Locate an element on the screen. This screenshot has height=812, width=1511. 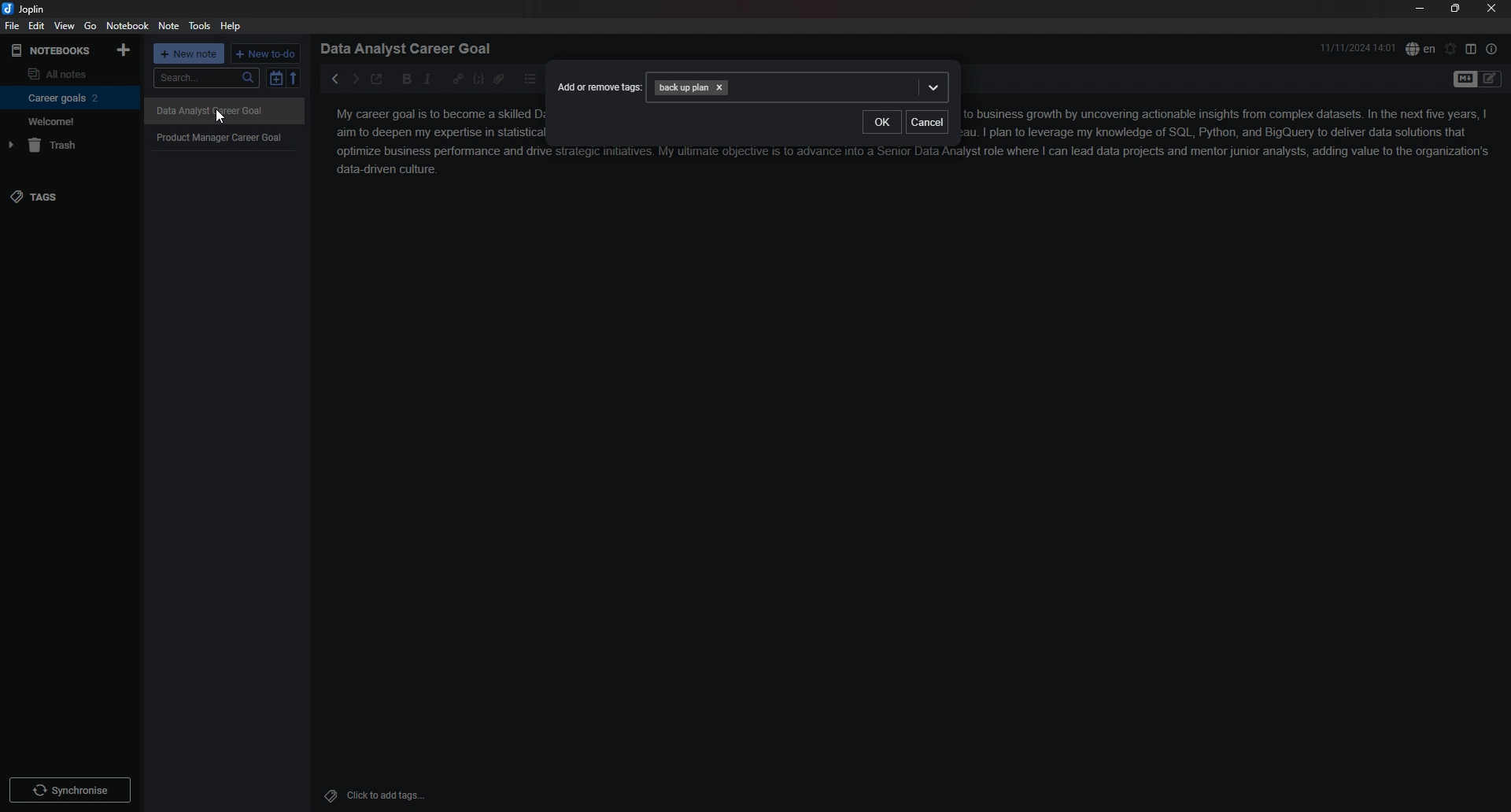
add or remove tags is located at coordinates (600, 86).